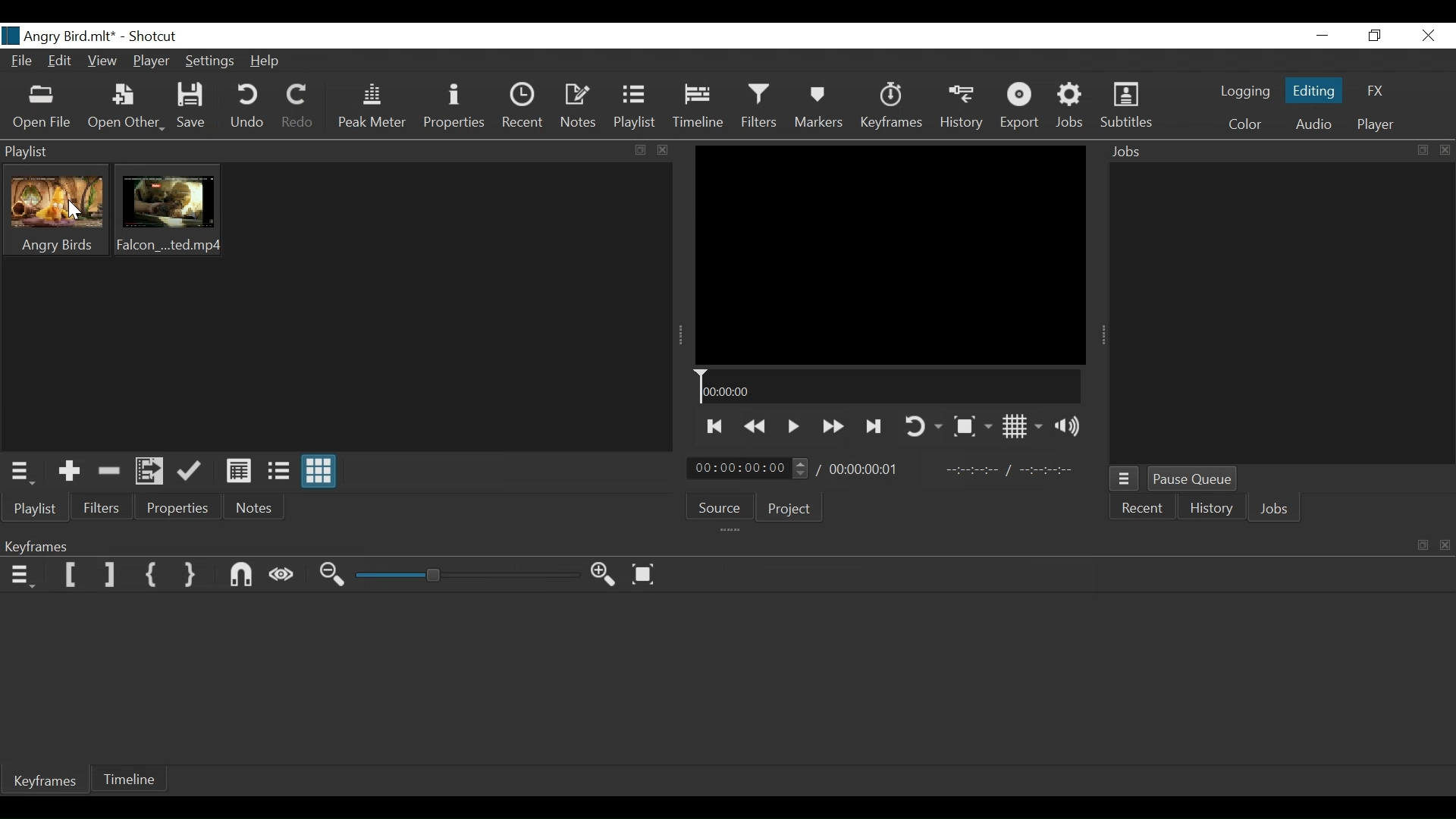 Image resolution: width=1456 pixels, height=819 pixels. What do you see at coordinates (1375, 36) in the screenshot?
I see `Restore` at bounding box center [1375, 36].